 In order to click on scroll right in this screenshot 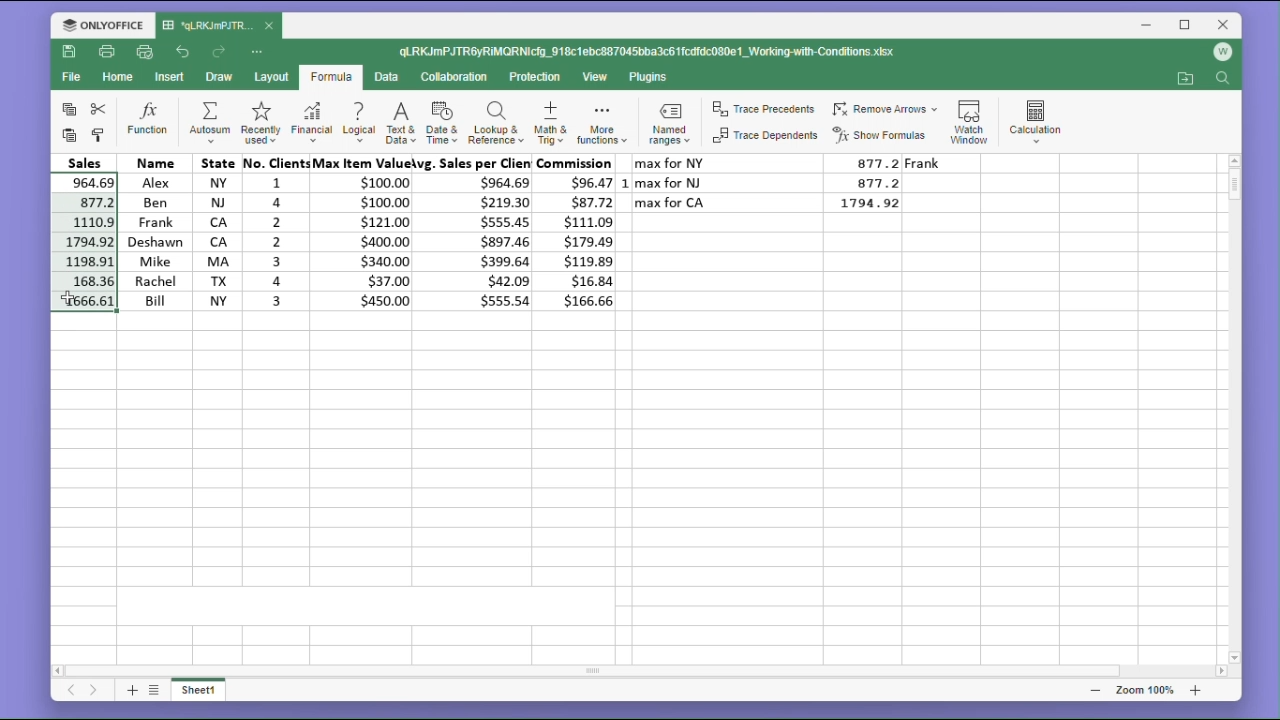, I will do `click(1220, 672)`.